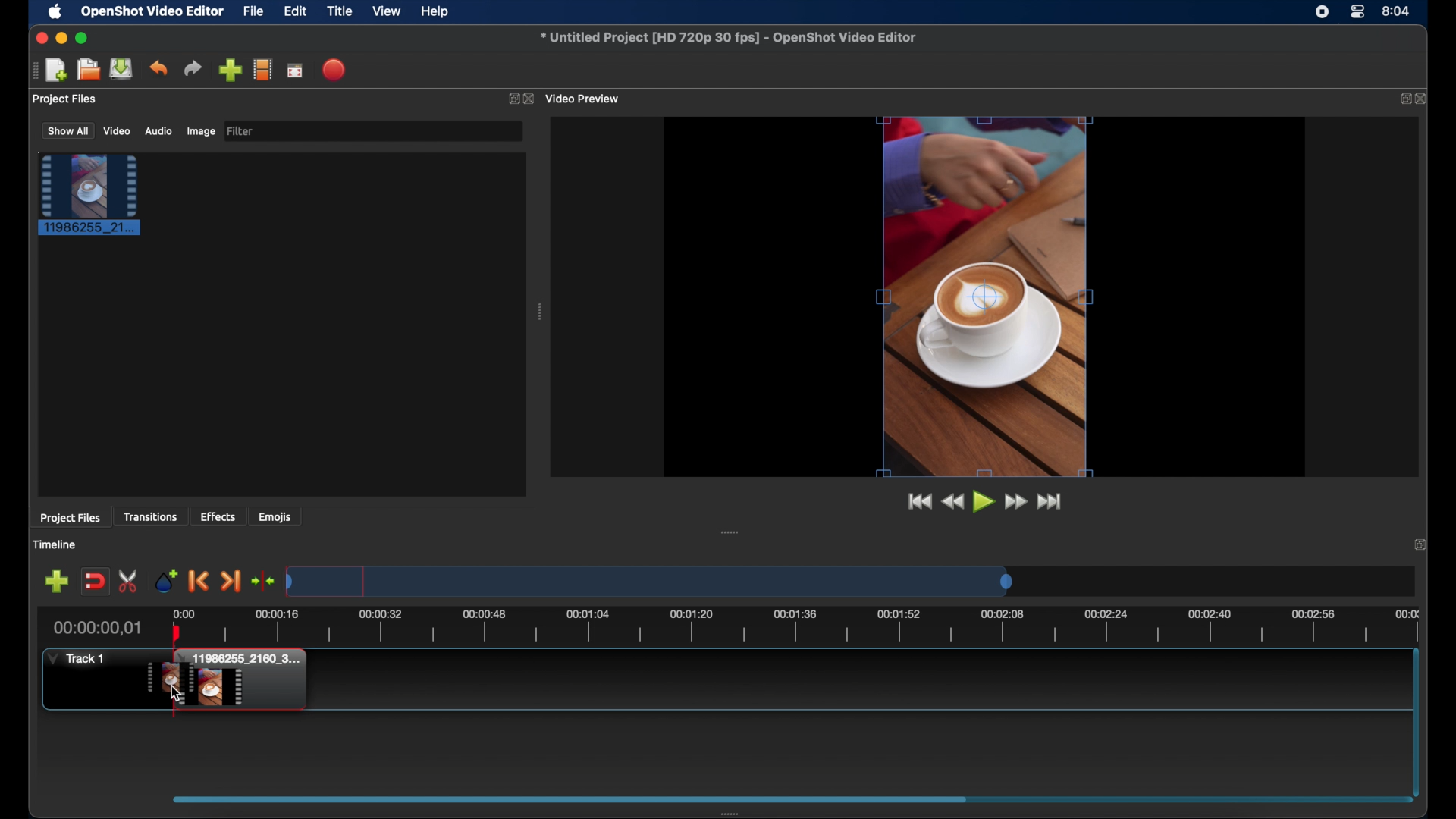  Describe the element at coordinates (919, 501) in the screenshot. I see `jump to start` at that location.